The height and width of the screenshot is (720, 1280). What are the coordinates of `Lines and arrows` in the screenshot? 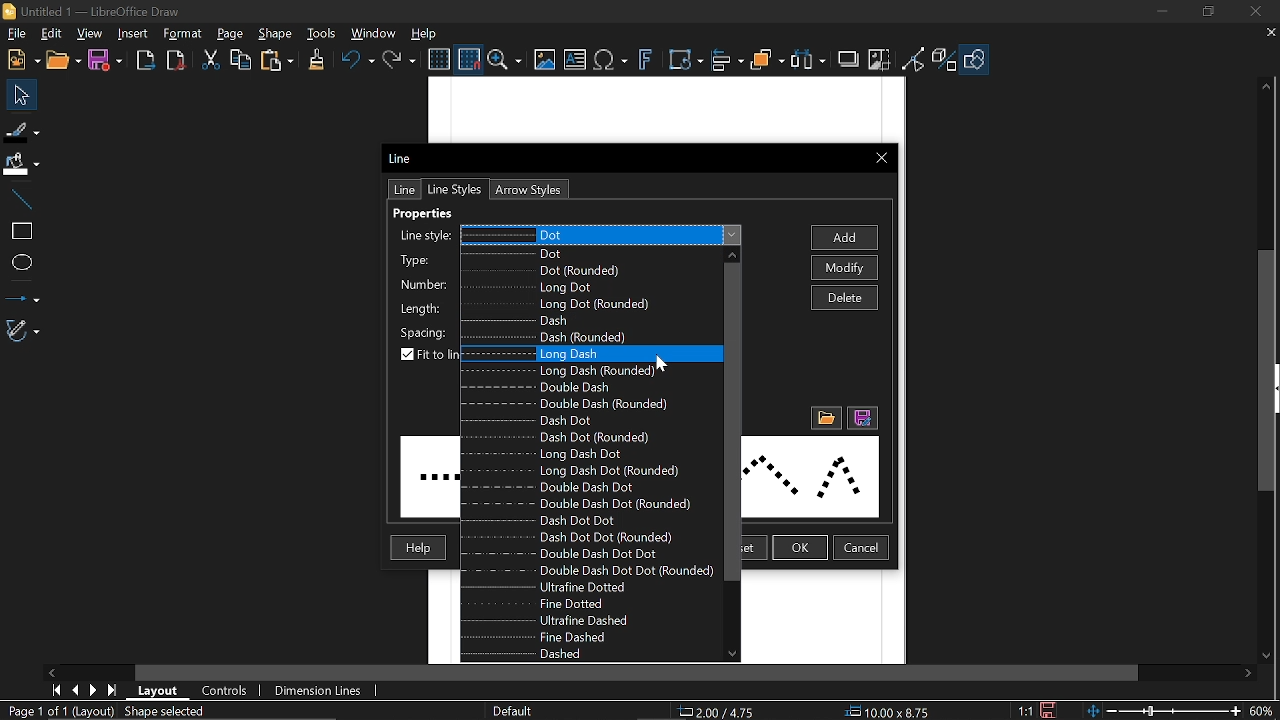 It's located at (23, 294).